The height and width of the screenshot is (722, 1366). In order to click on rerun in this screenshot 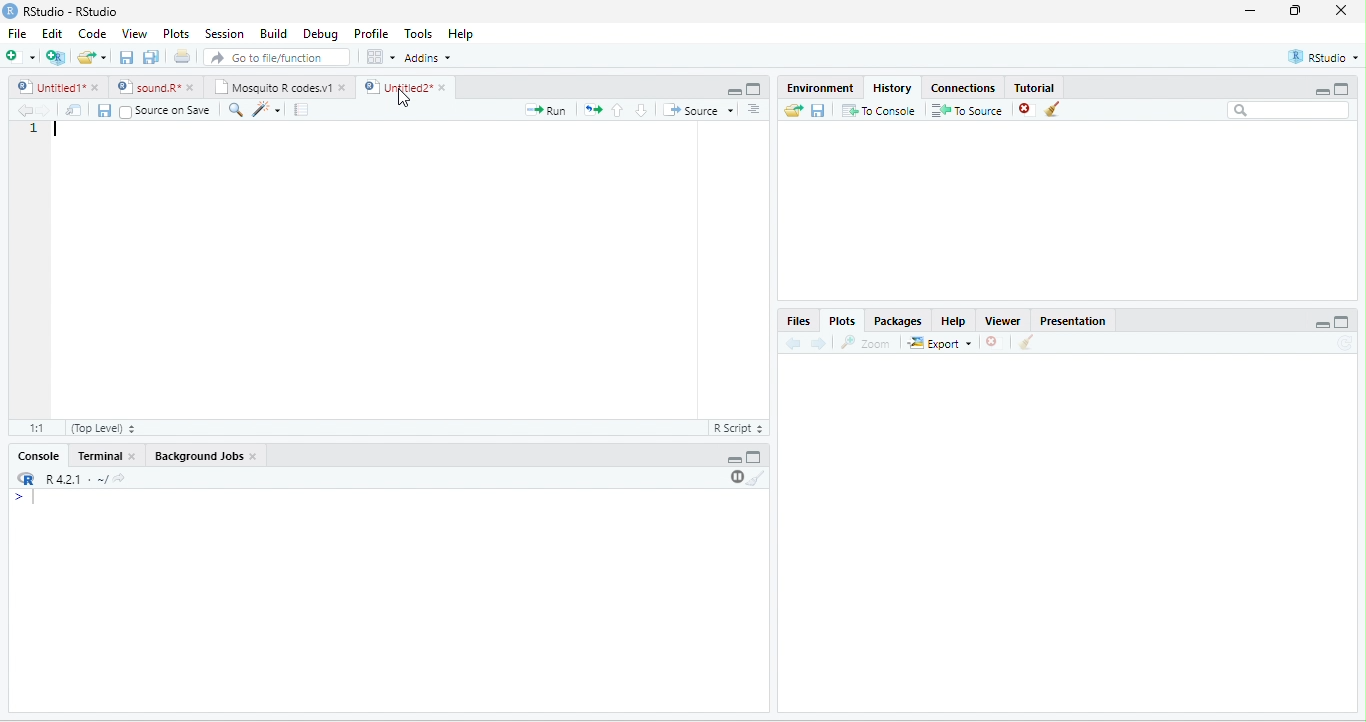, I will do `click(592, 110)`.